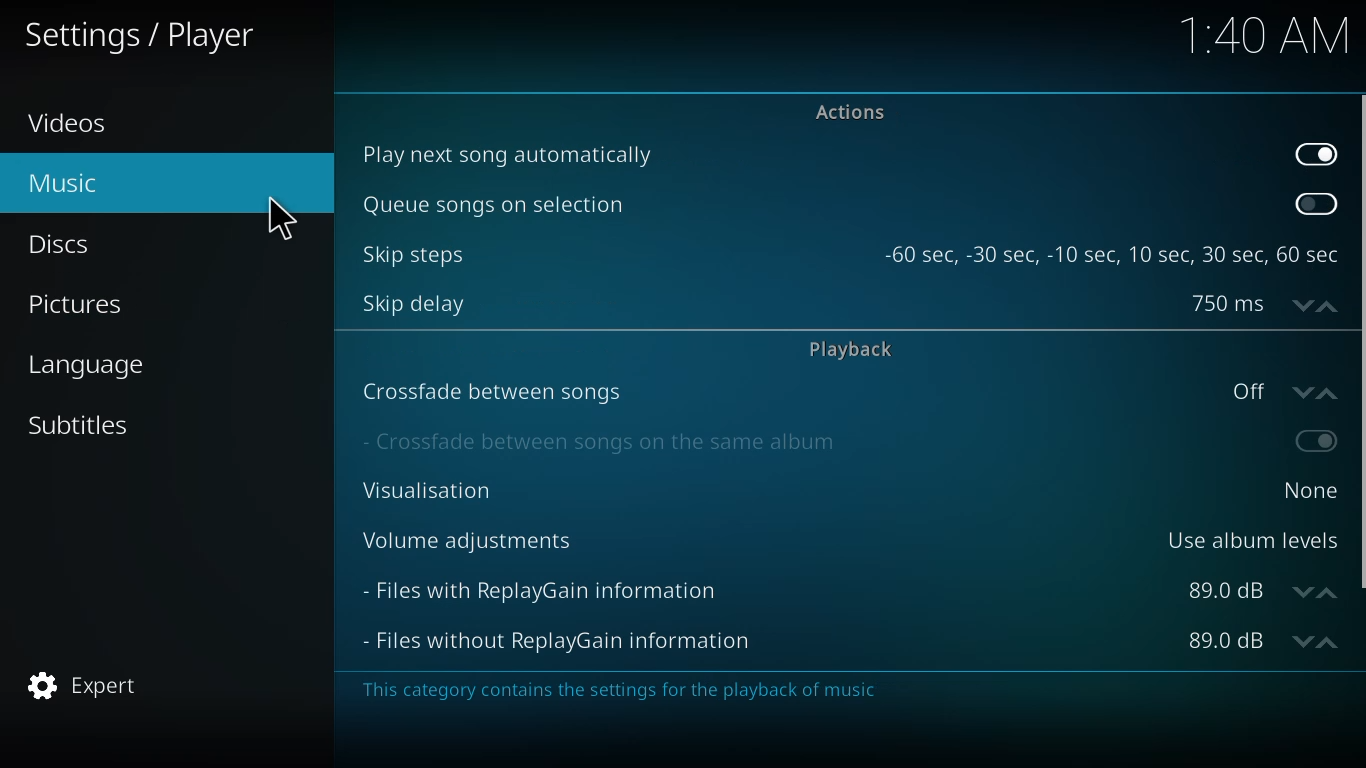 The width and height of the screenshot is (1366, 768). Describe the element at coordinates (78, 423) in the screenshot. I see `subtitles` at that location.